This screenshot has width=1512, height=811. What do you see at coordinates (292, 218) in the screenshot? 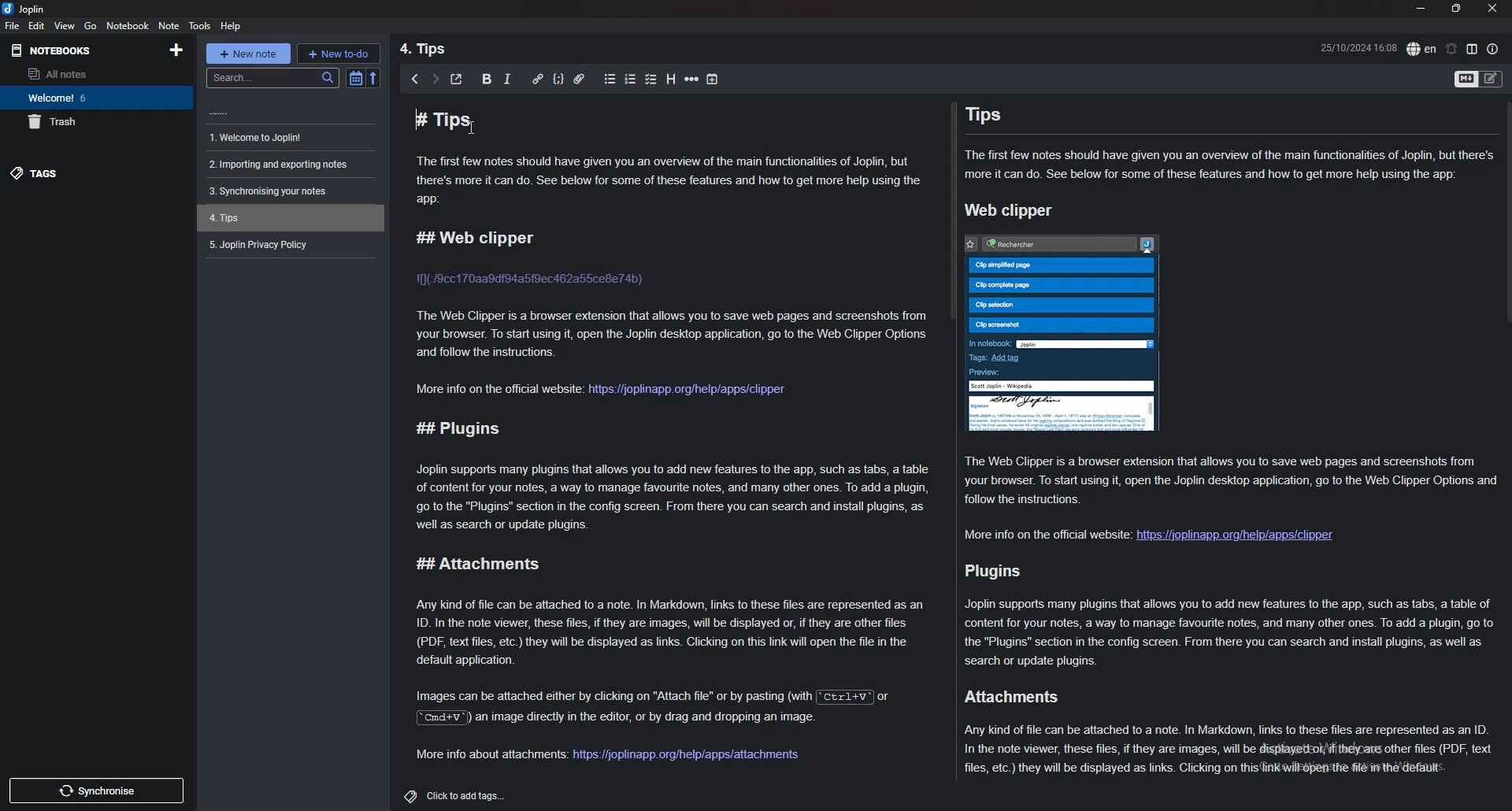
I see `note 5` at bounding box center [292, 218].